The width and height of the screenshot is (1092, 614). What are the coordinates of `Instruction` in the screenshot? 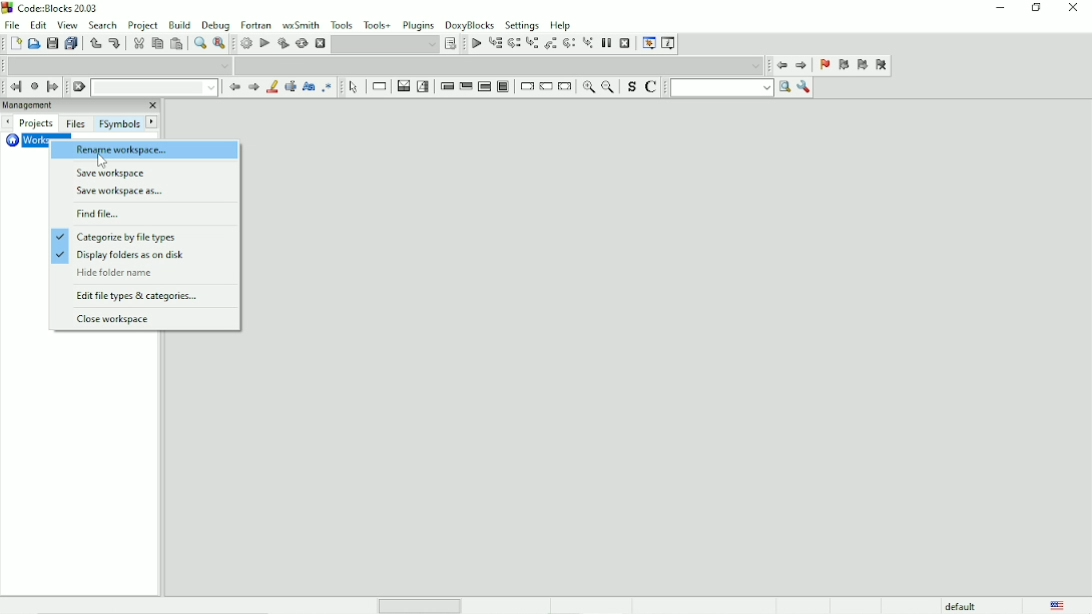 It's located at (377, 87).